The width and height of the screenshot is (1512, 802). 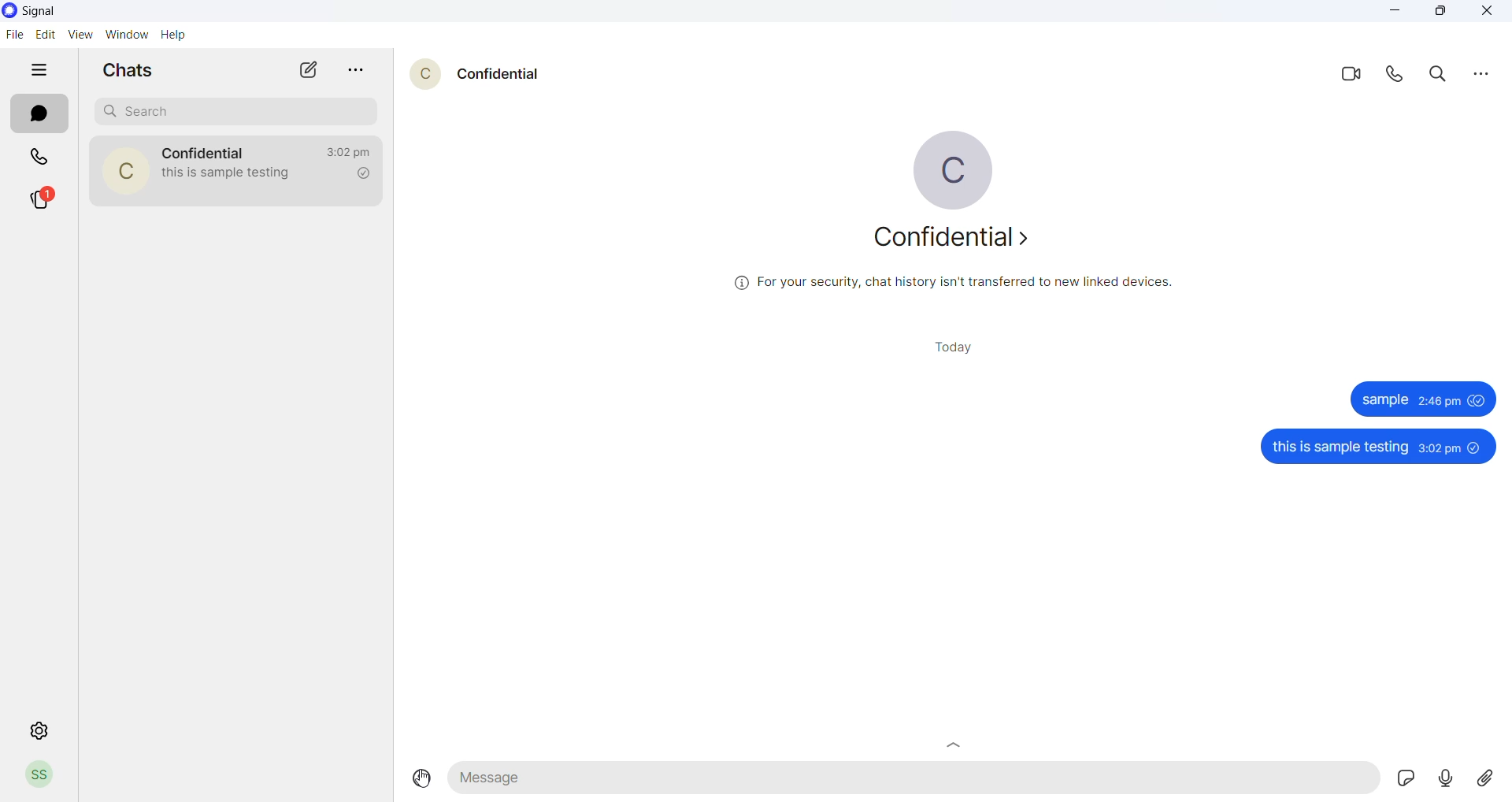 What do you see at coordinates (41, 13) in the screenshot?
I see `application name and logo` at bounding box center [41, 13].